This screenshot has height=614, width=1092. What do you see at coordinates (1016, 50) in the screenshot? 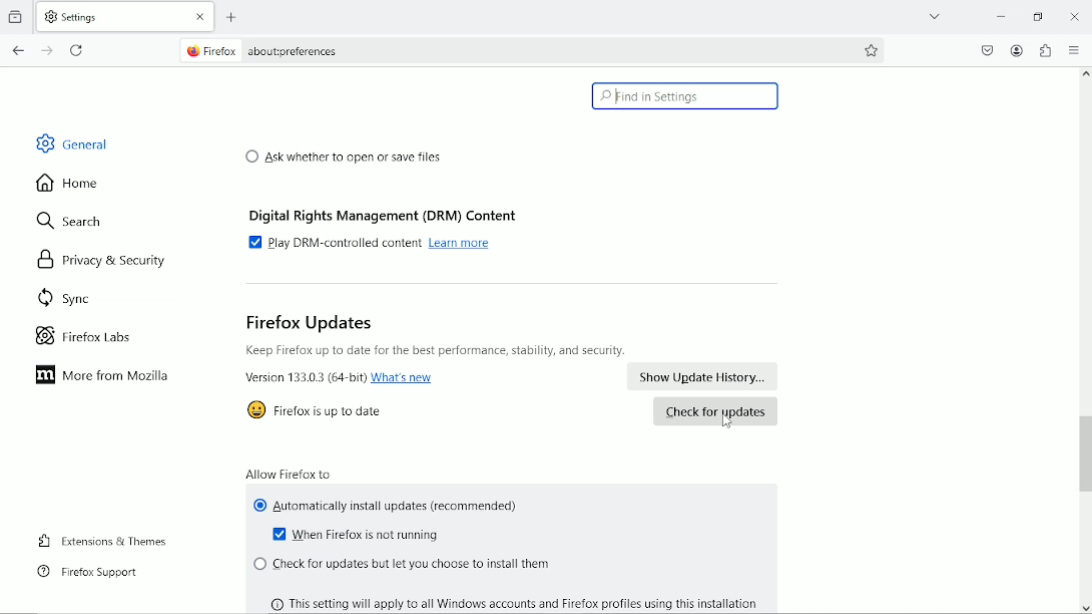
I see `account` at bounding box center [1016, 50].